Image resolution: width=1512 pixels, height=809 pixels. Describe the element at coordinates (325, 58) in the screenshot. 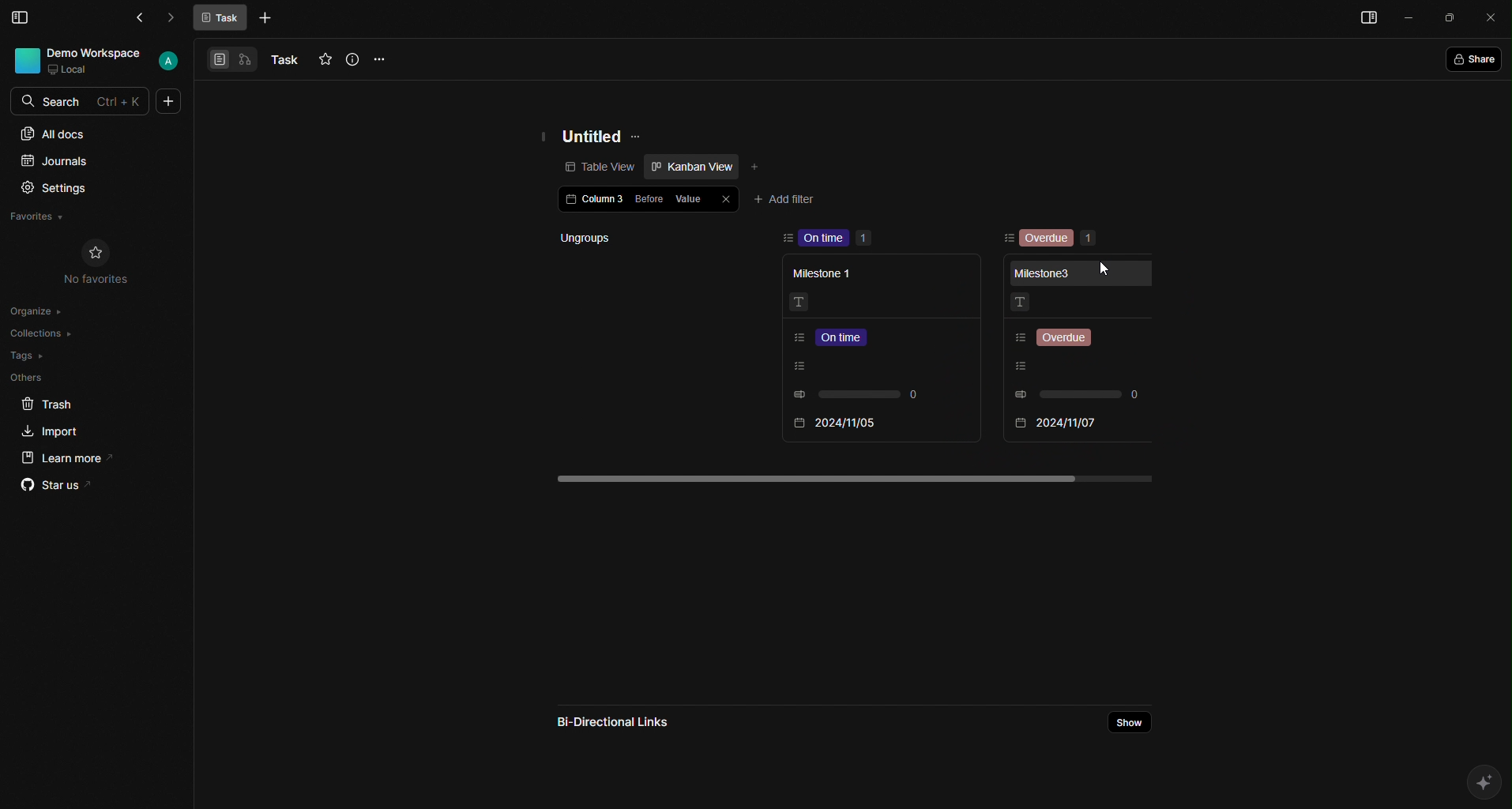

I see `Favourites` at that location.